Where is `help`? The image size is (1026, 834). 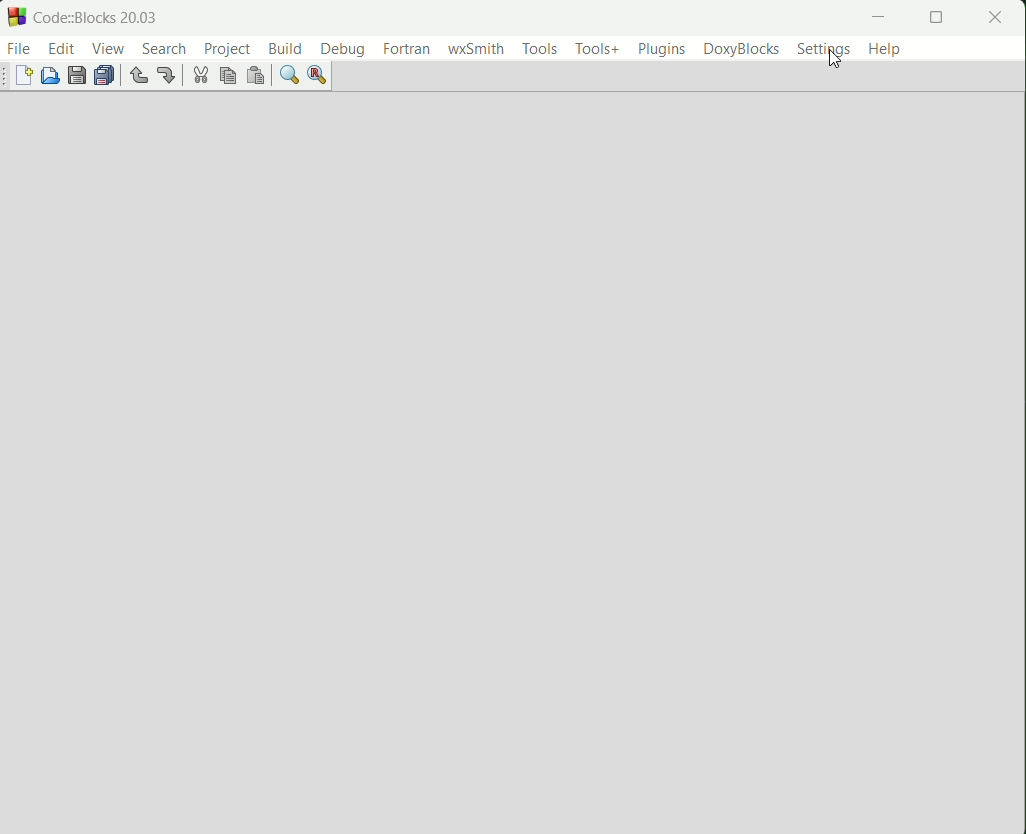
help is located at coordinates (886, 49).